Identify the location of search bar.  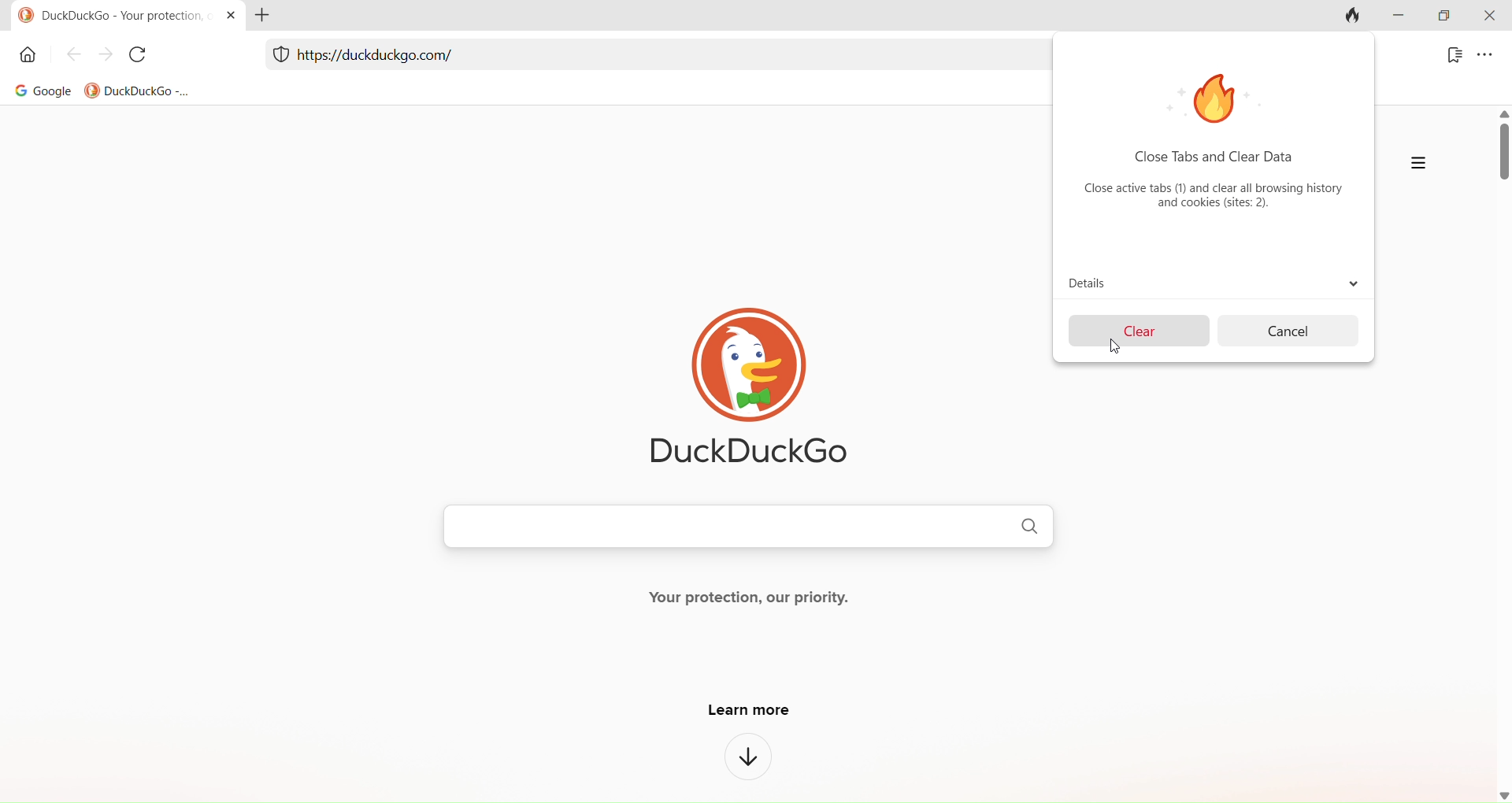
(727, 528).